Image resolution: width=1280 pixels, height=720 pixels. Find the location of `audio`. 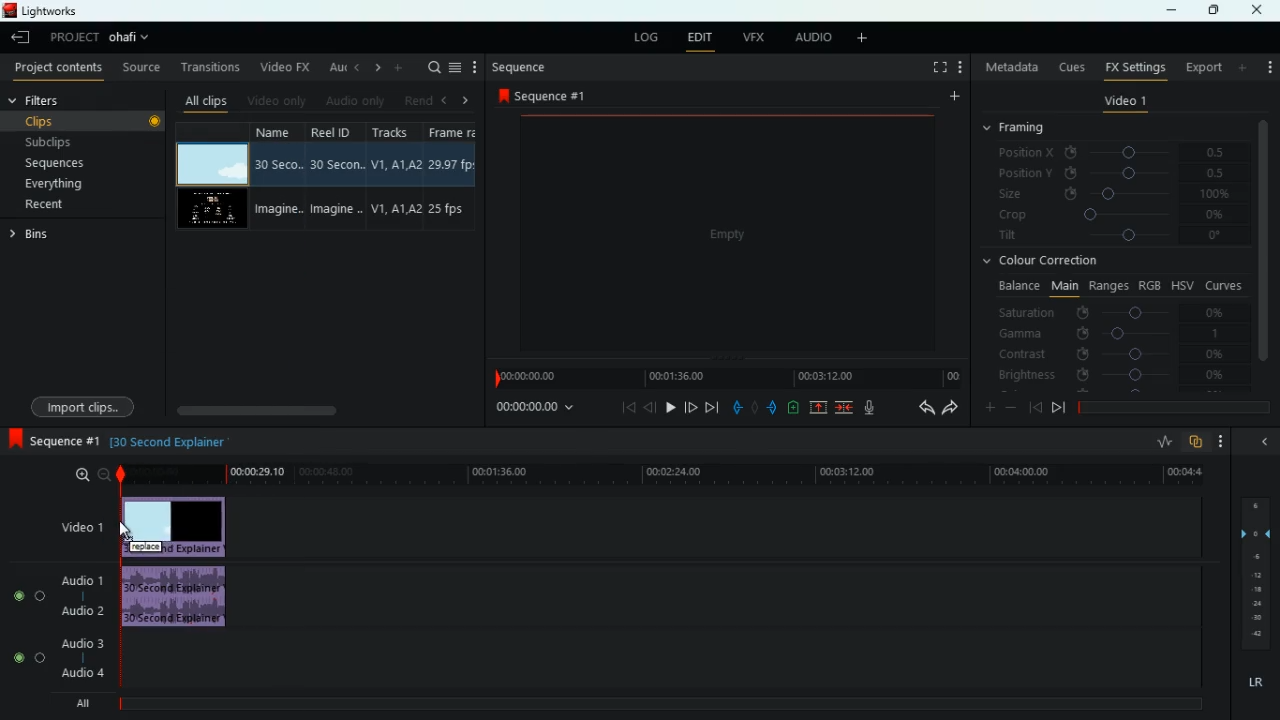

audio is located at coordinates (176, 596).